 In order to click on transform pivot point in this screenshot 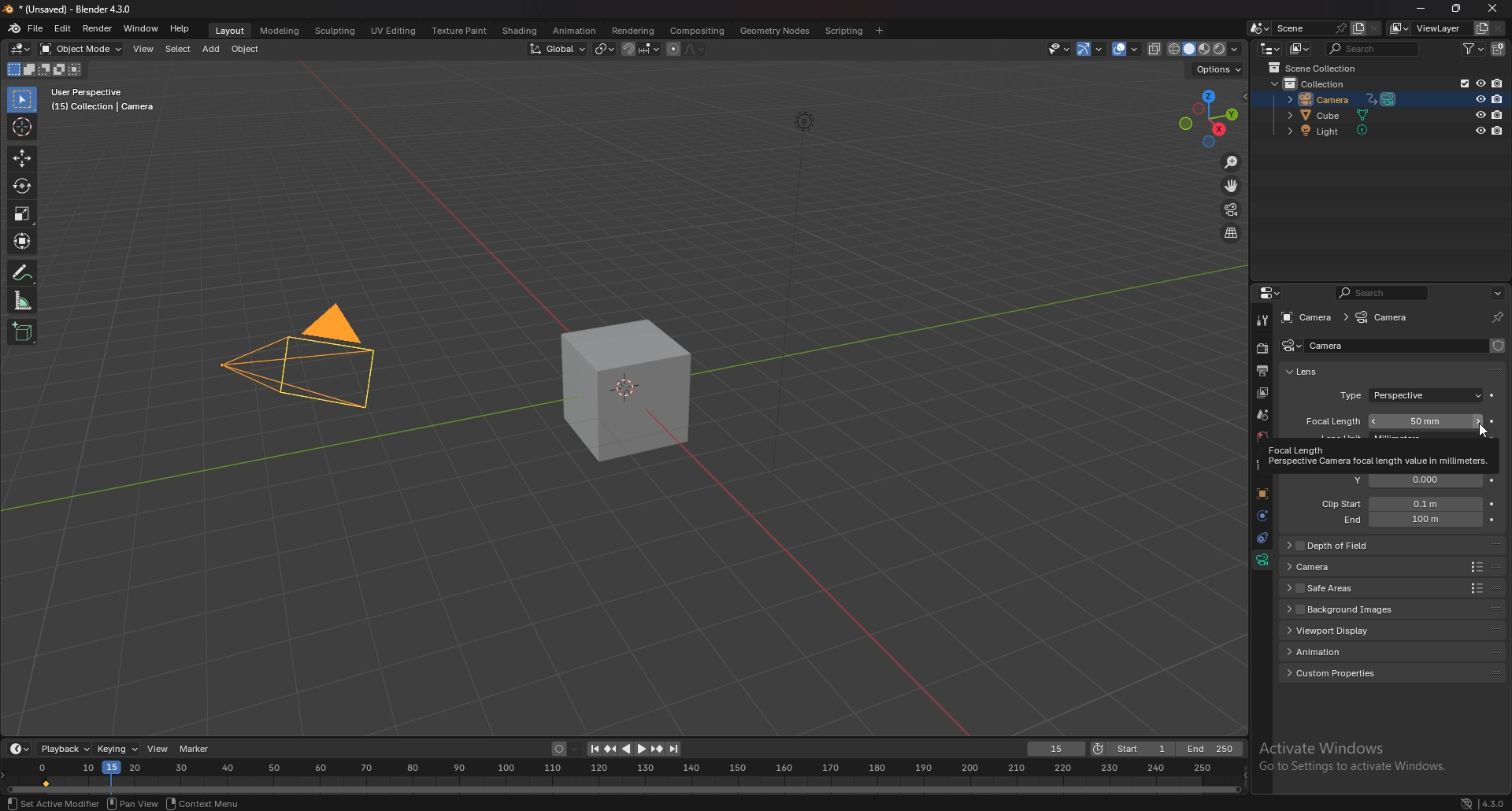, I will do `click(603, 49)`.